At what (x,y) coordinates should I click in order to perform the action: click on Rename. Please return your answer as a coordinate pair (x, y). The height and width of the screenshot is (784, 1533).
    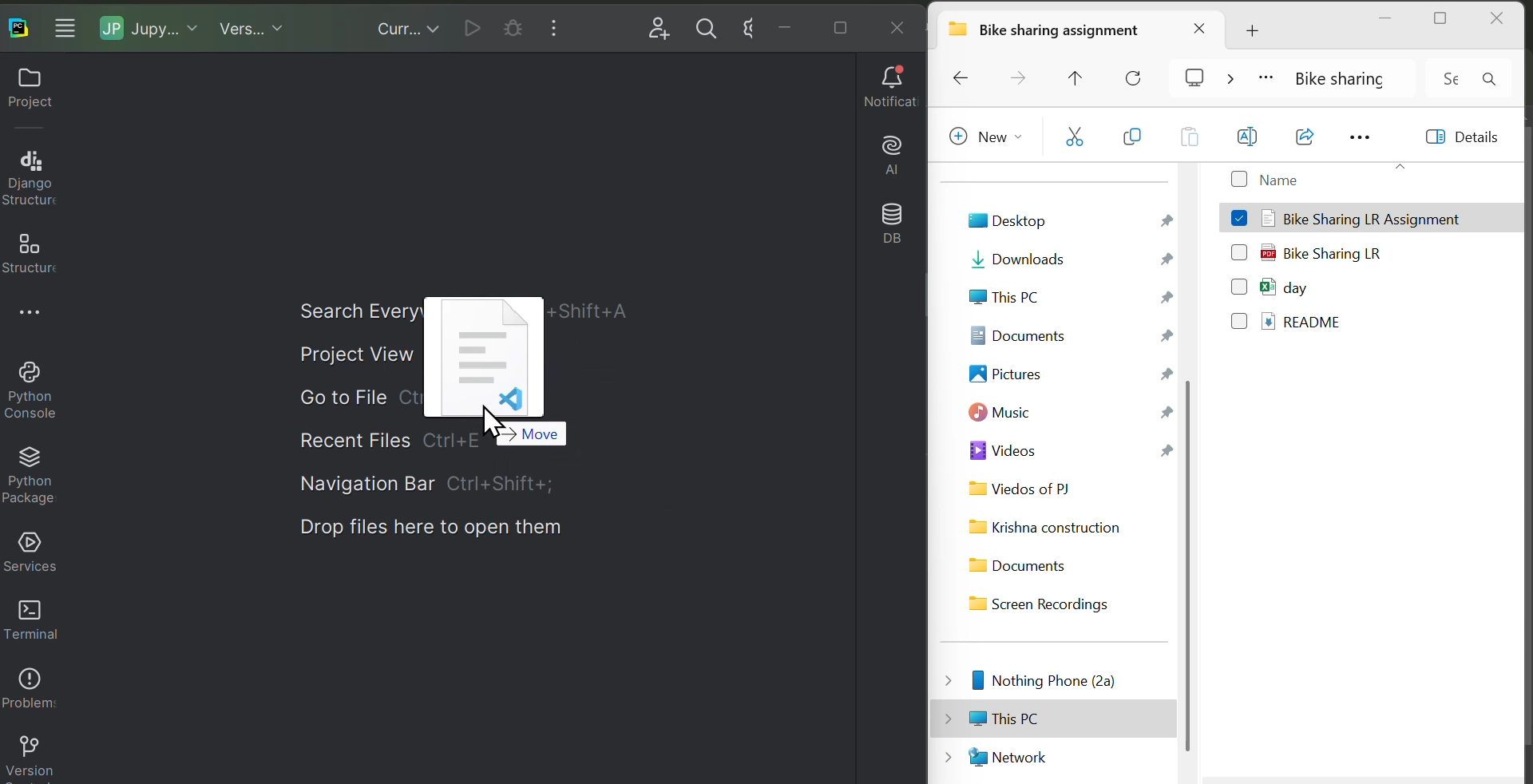
    Looking at the image, I should click on (1249, 137).